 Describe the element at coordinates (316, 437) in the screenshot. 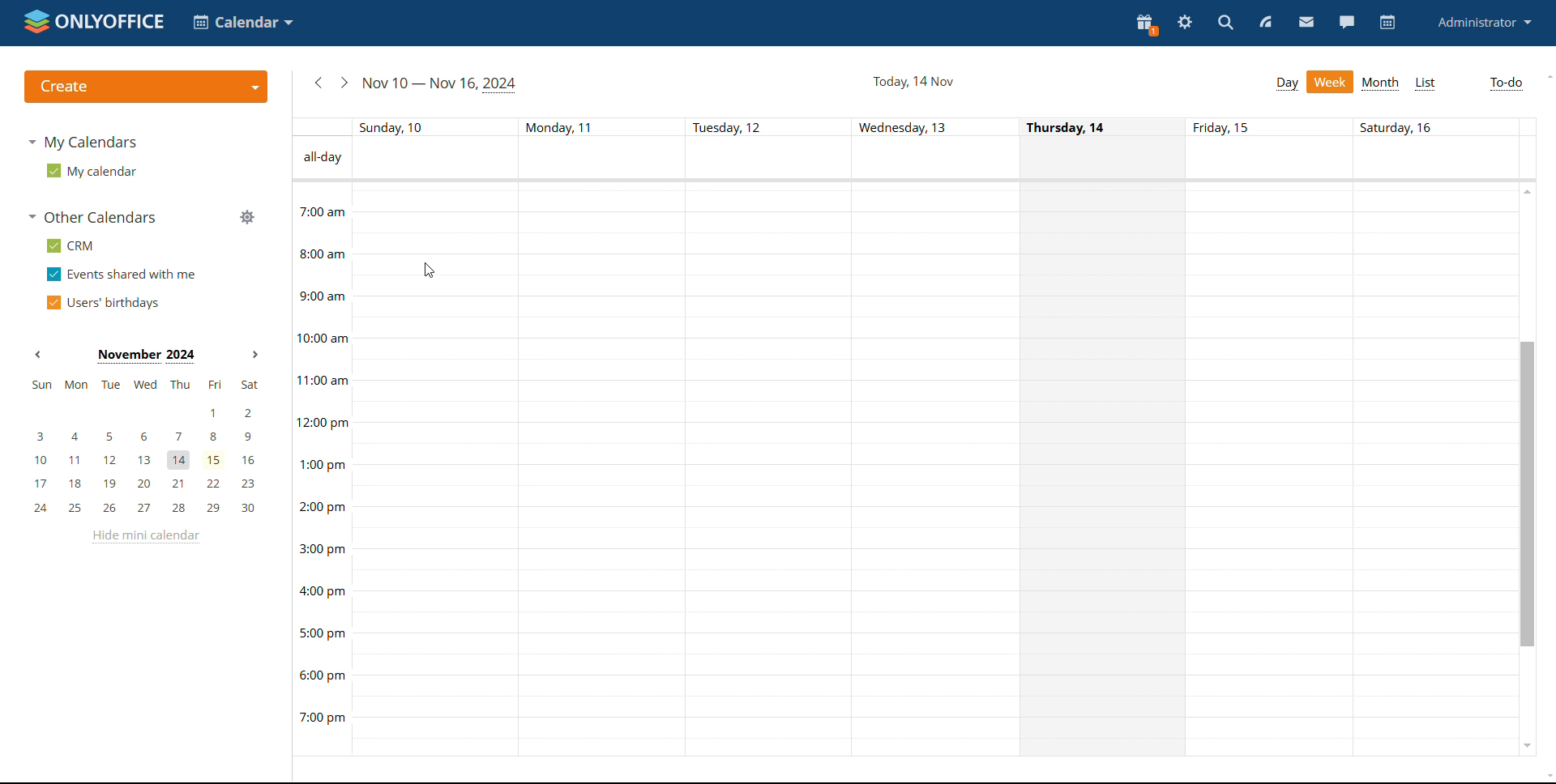

I see `time of the day` at that location.